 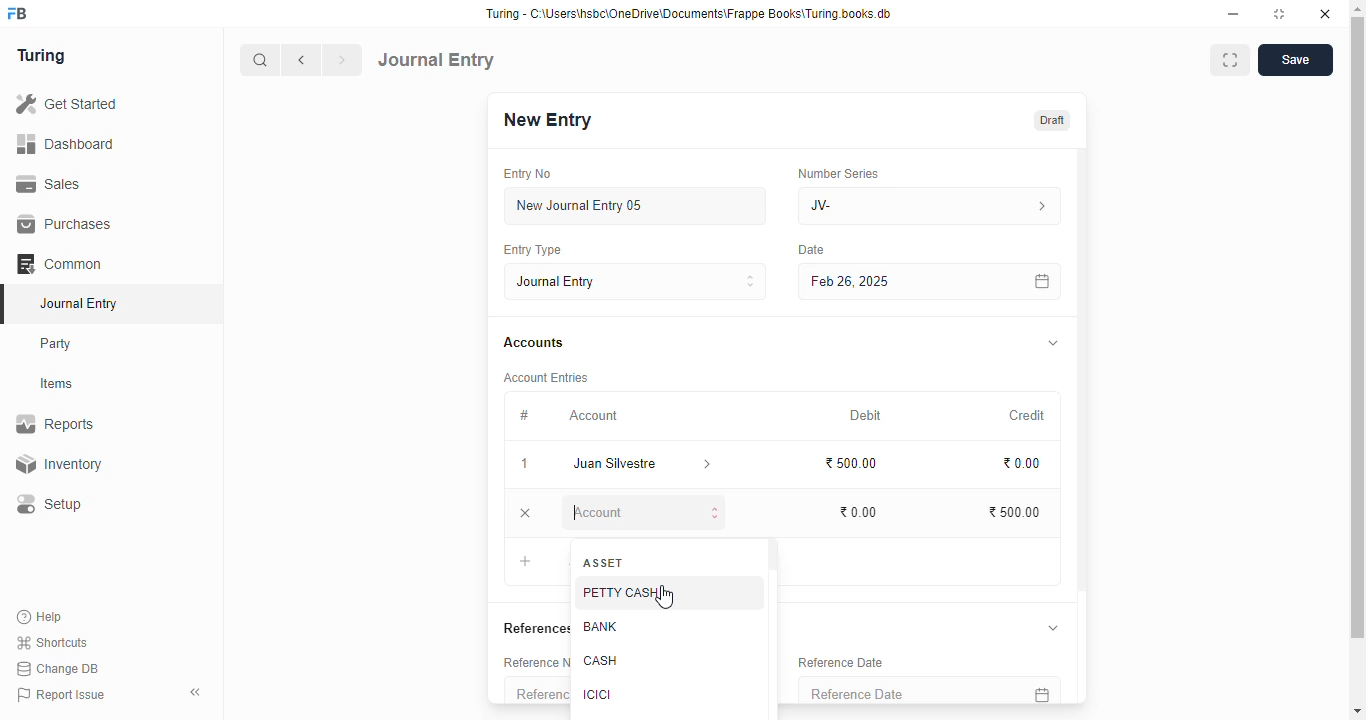 I want to click on toggle expand/collapse, so click(x=1050, y=628).